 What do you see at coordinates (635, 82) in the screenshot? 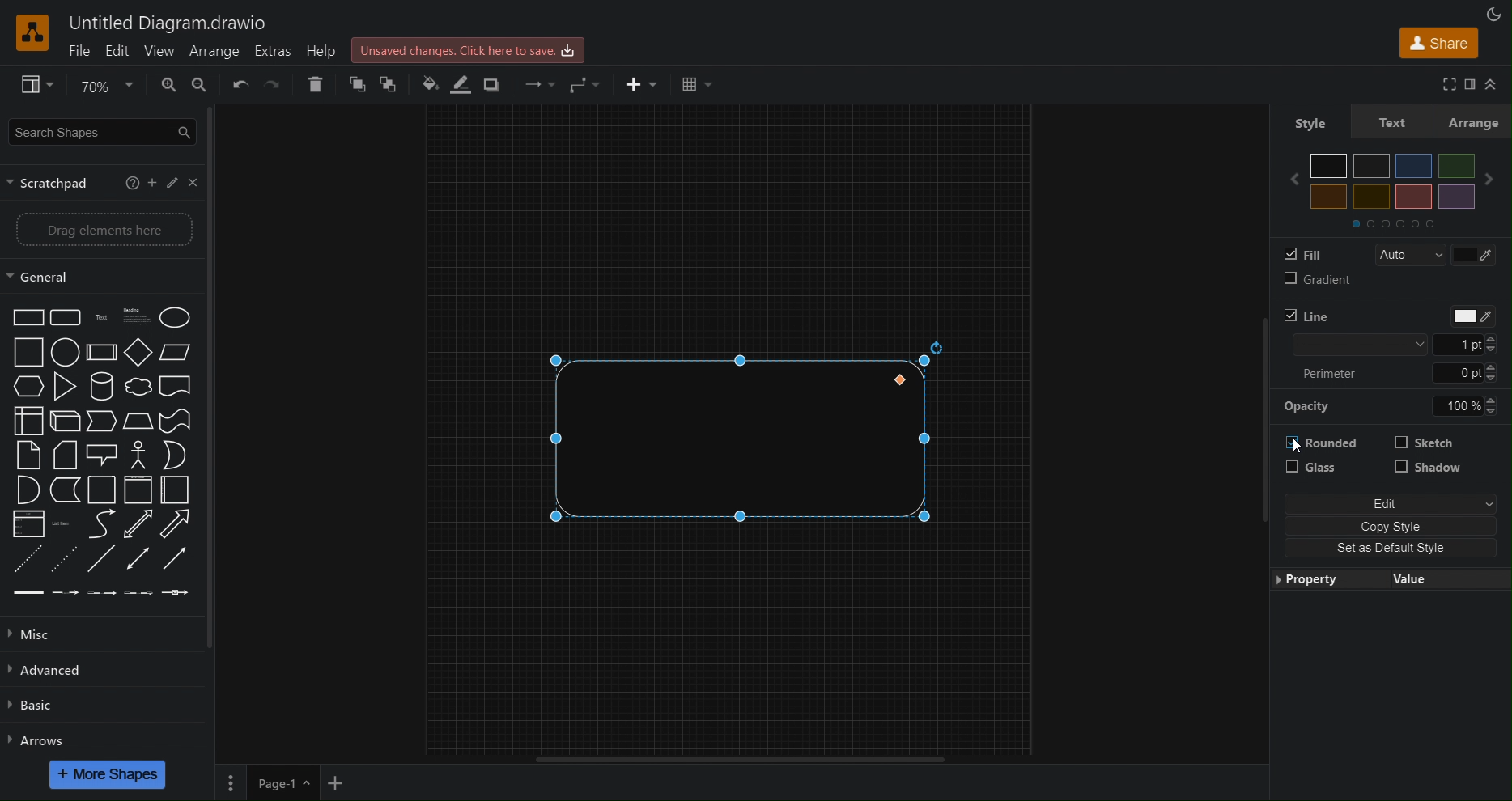
I see `Insert` at bounding box center [635, 82].